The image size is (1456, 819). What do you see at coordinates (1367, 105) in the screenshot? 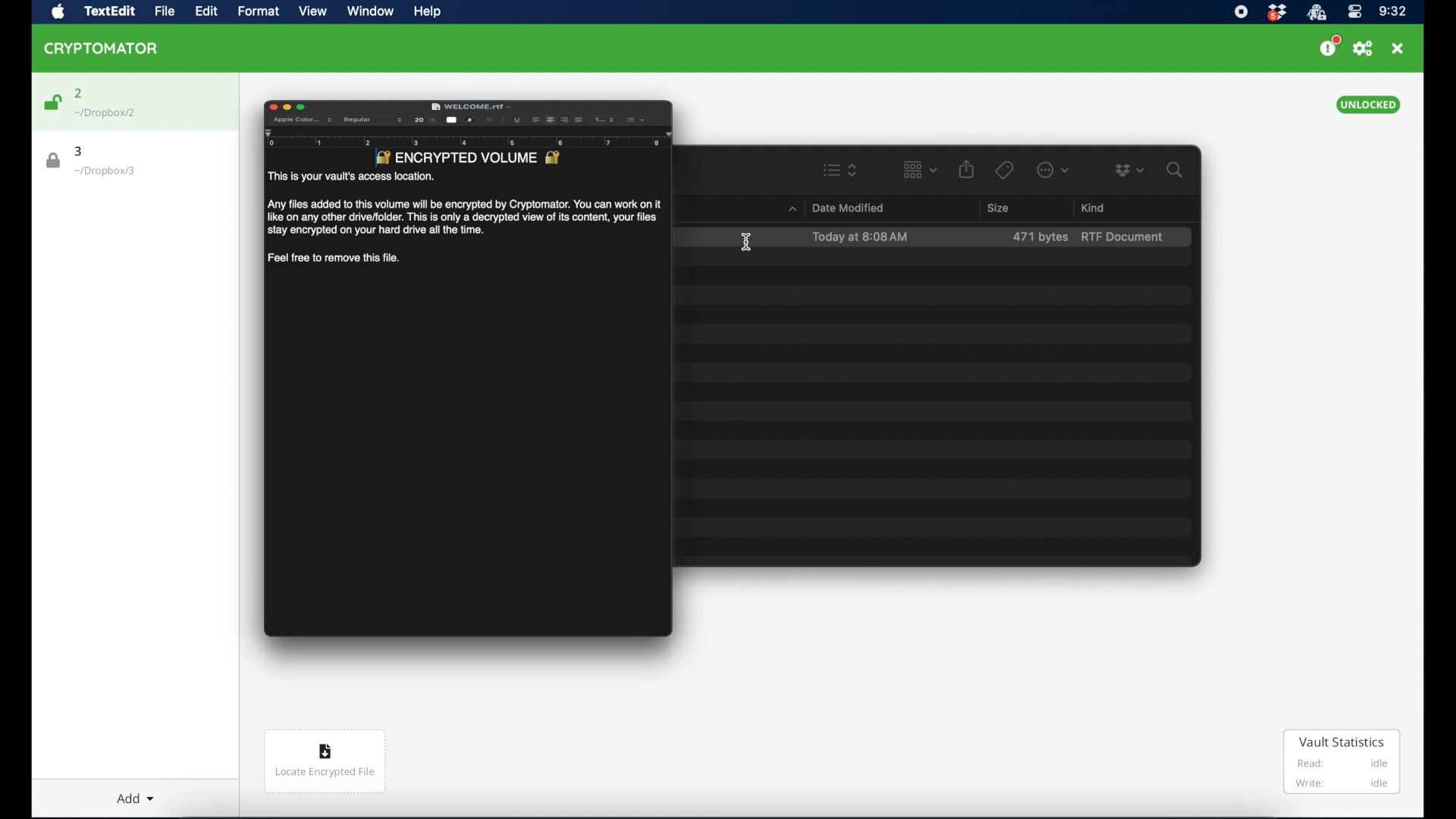
I see `unlocked` at bounding box center [1367, 105].